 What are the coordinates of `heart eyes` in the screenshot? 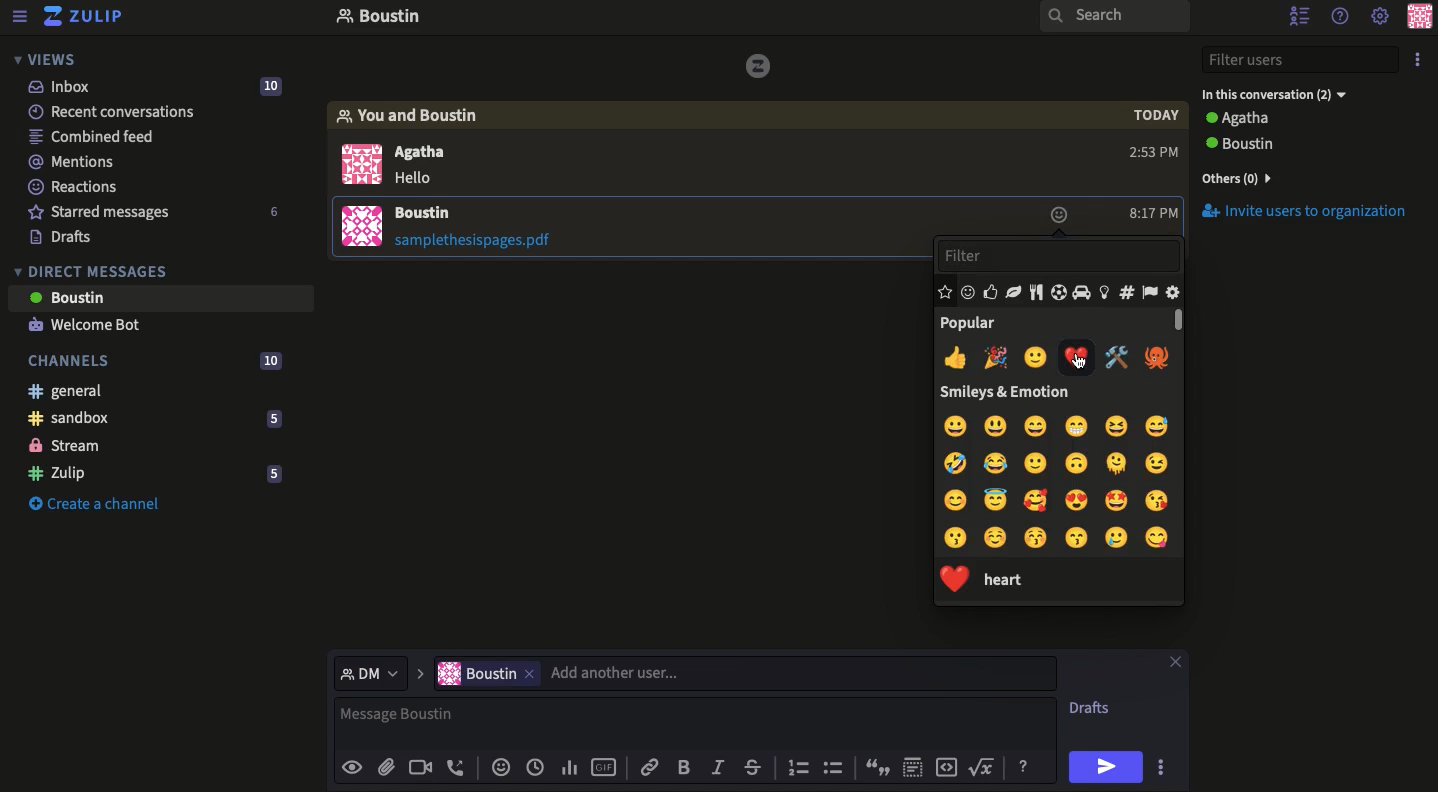 It's located at (1078, 504).